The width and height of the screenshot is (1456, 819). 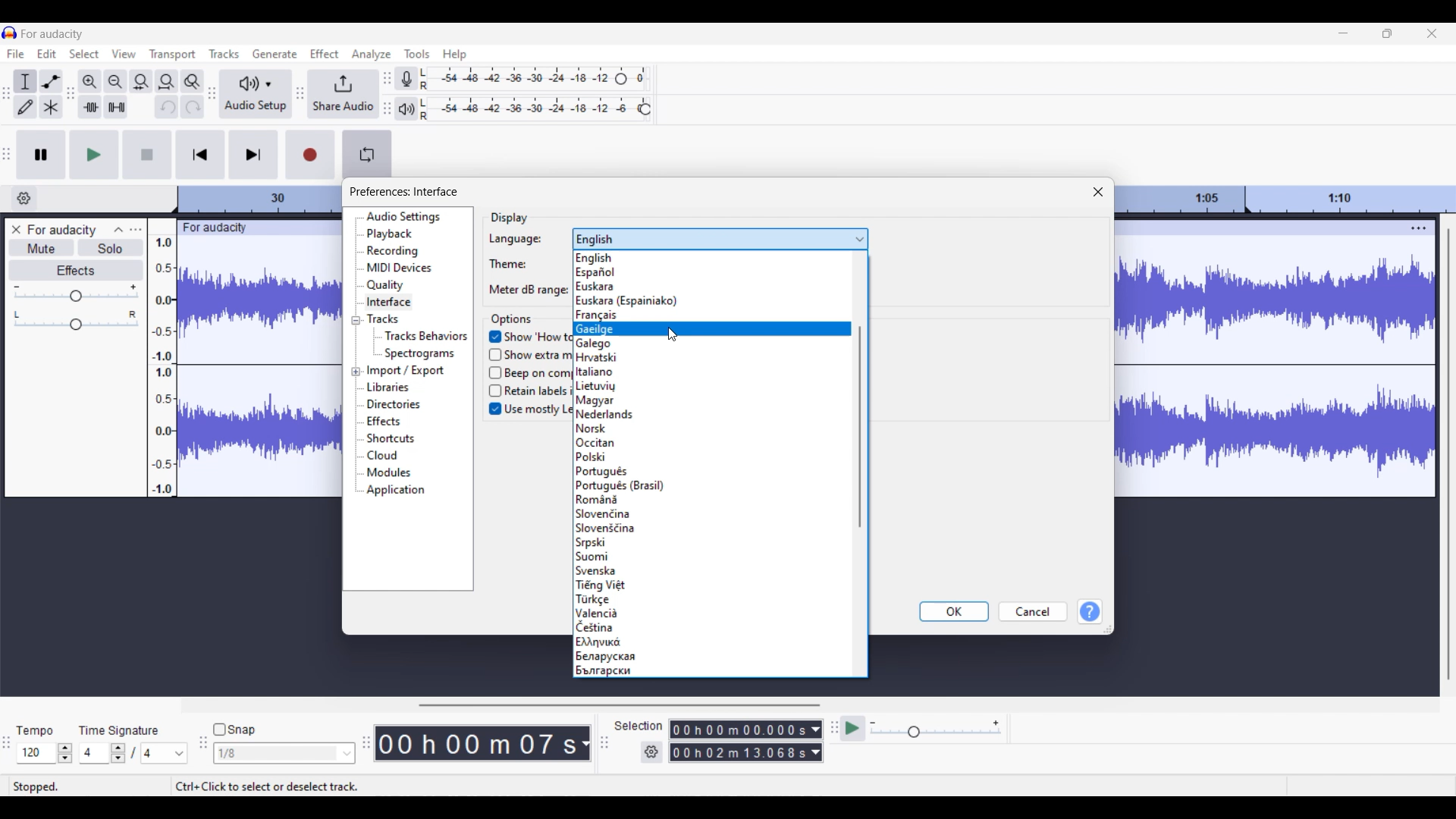 What do you see at coordinates (645, 109) in the screenshot?
I see `Playback level header` at bounding box center [645, 109].